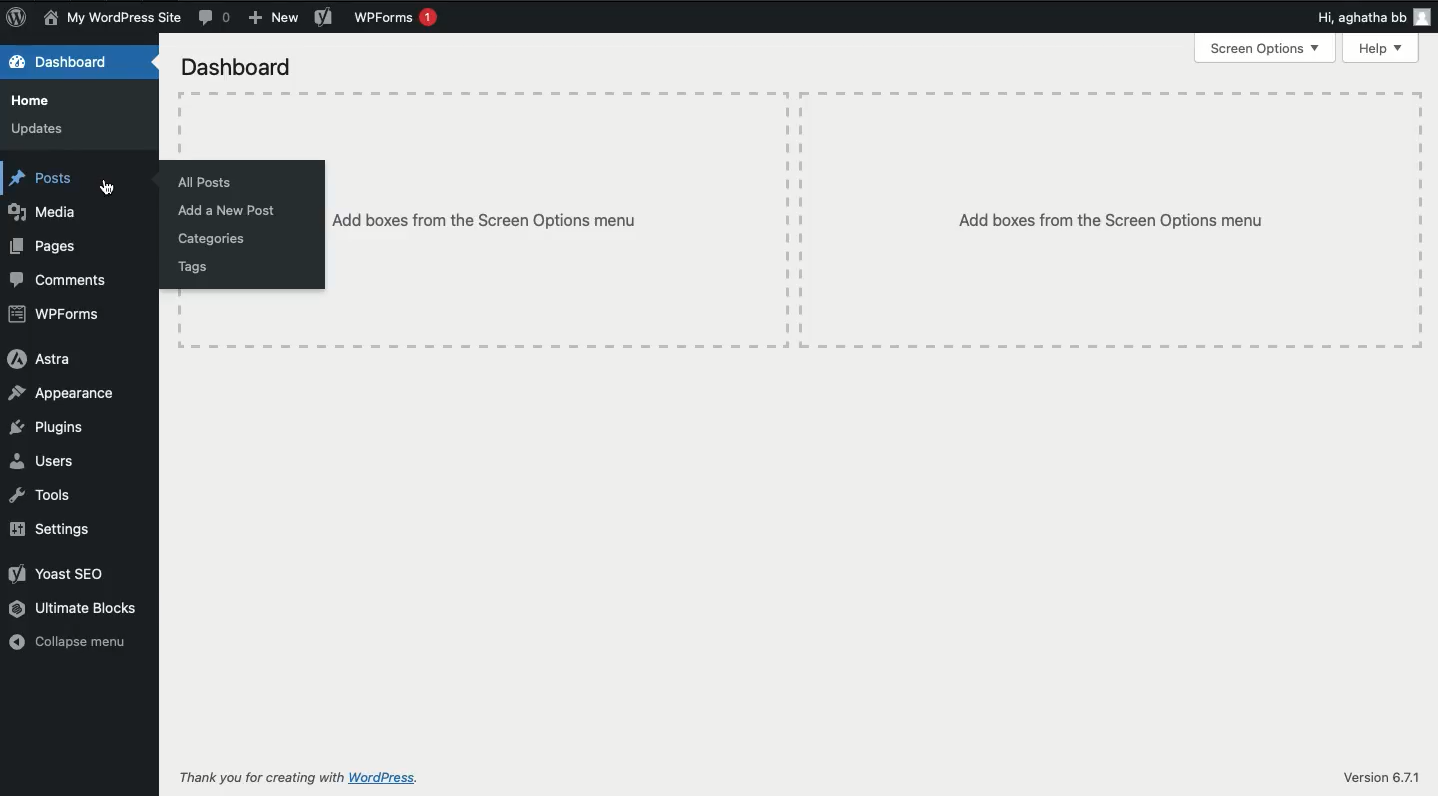  I want to click on Add a new post, so click(229, 211).